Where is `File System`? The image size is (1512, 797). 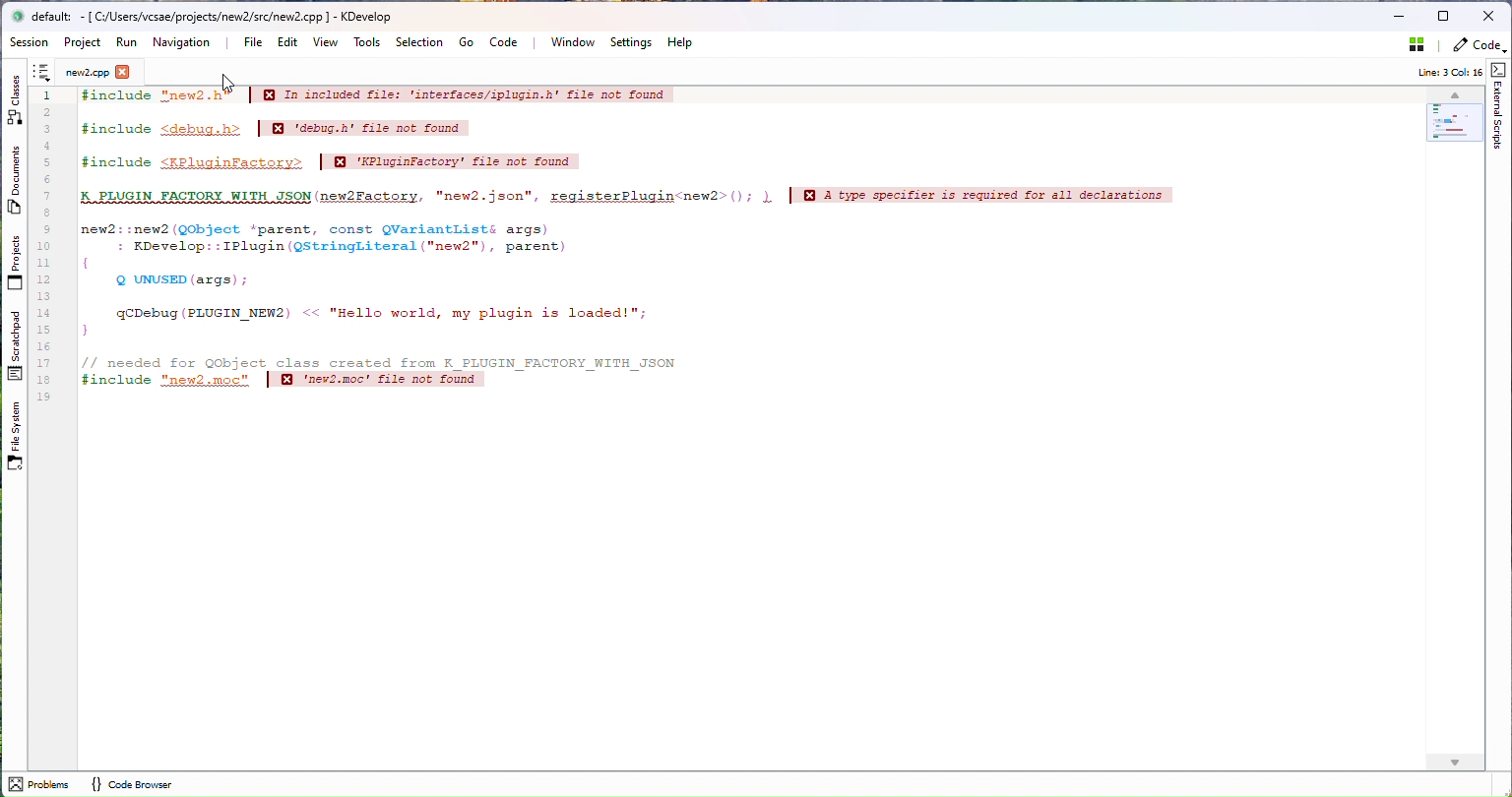
File System is located at coordinates (15, 437).